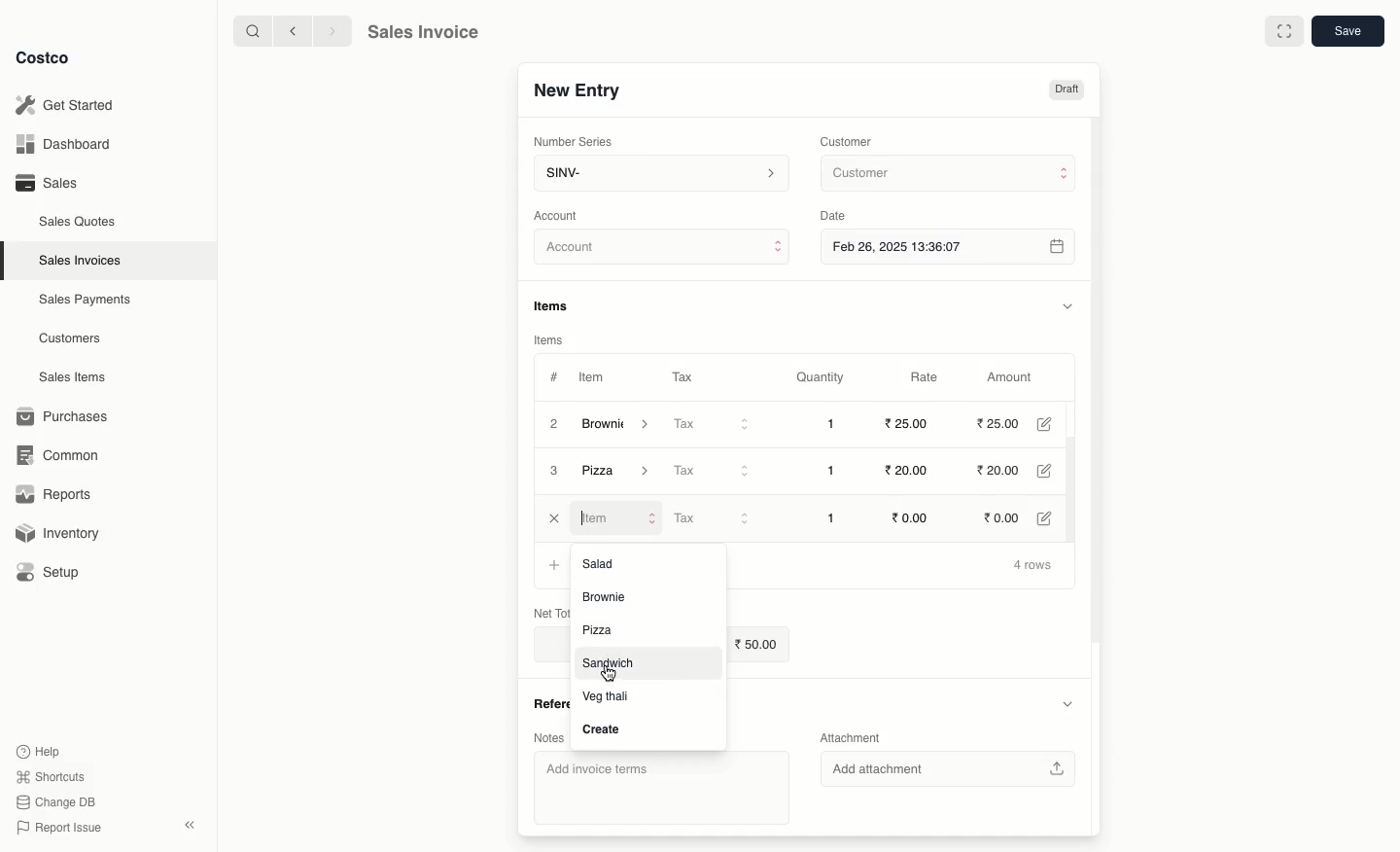  What do you see at coordinates (611, 675) in the screenshot?
I see `cursor` at bounding box center [611, 675].